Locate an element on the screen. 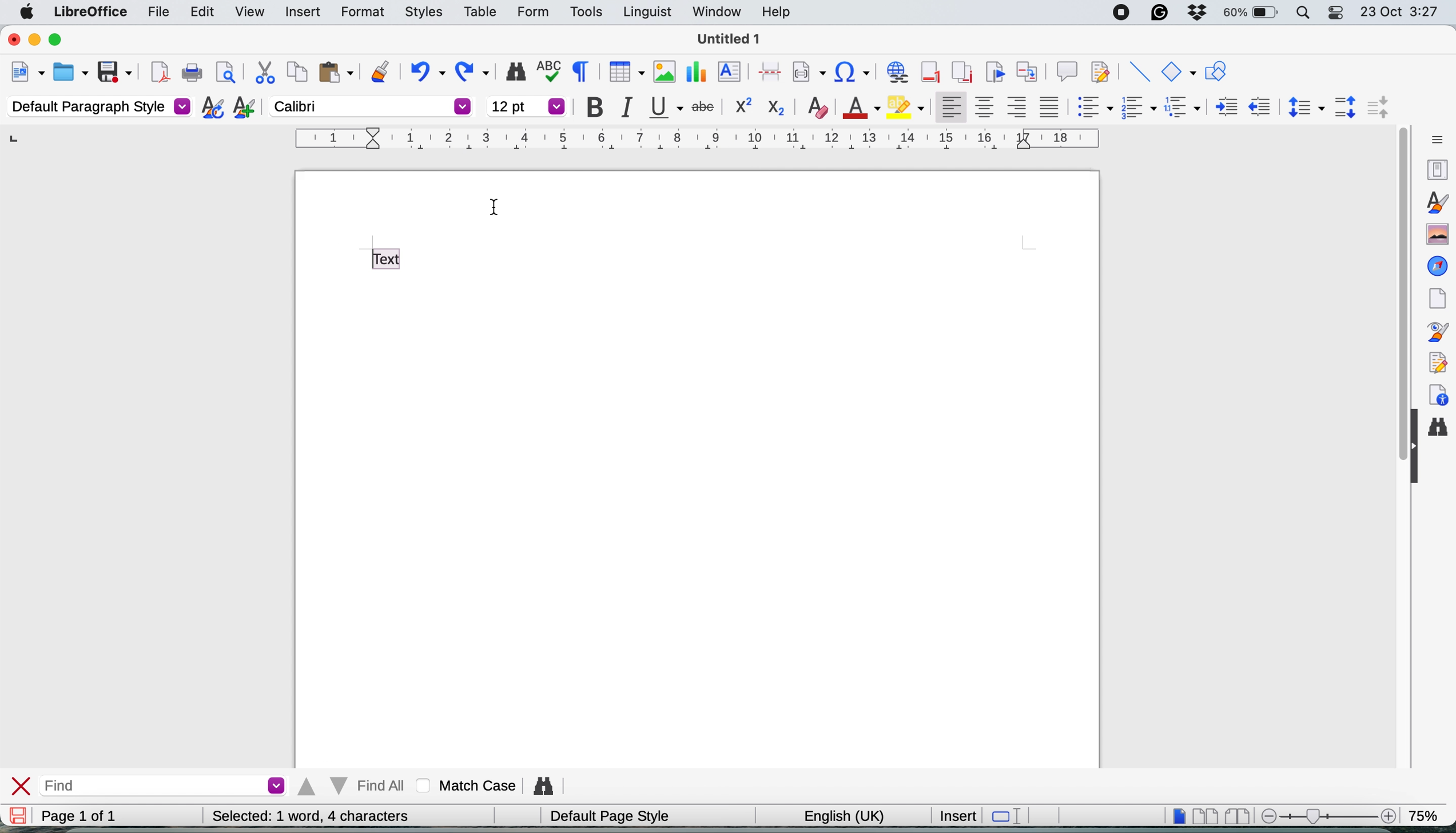 Image resolution: width=1456 pixels, height=833 pixels. file is located at coordinates (153, 13).